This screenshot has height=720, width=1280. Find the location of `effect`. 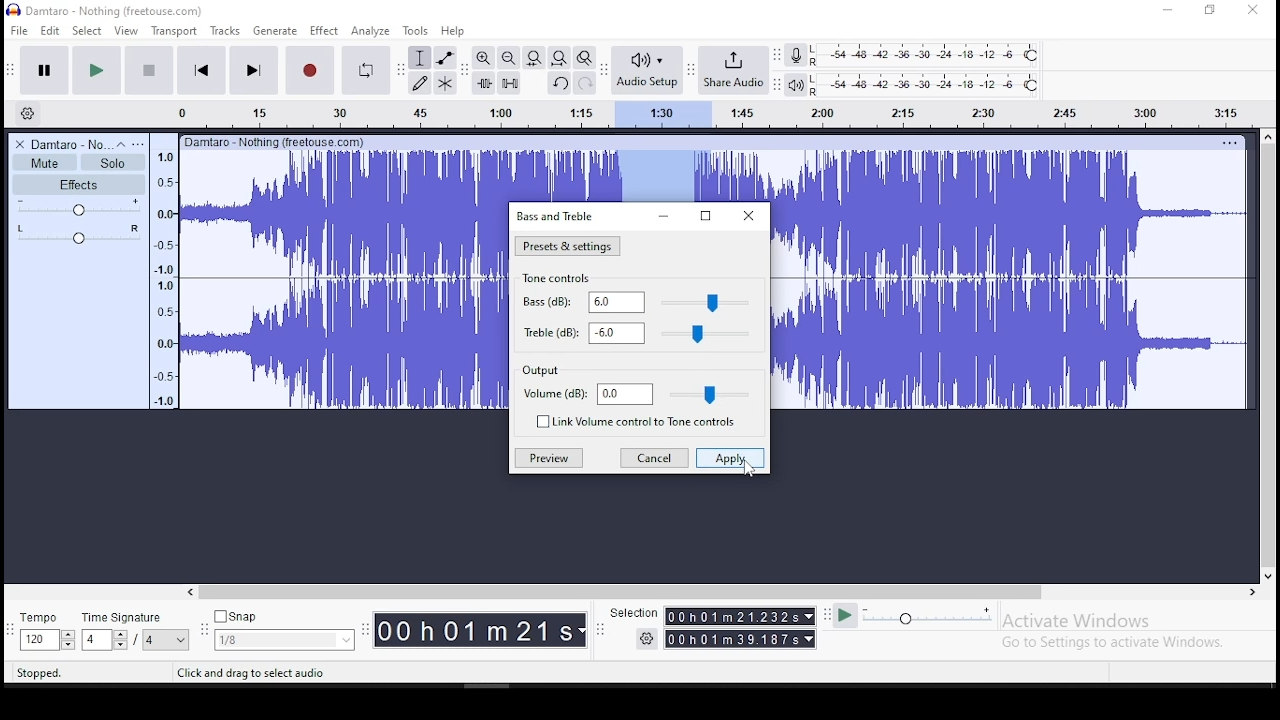

effect is located at coordinates (323, 32).